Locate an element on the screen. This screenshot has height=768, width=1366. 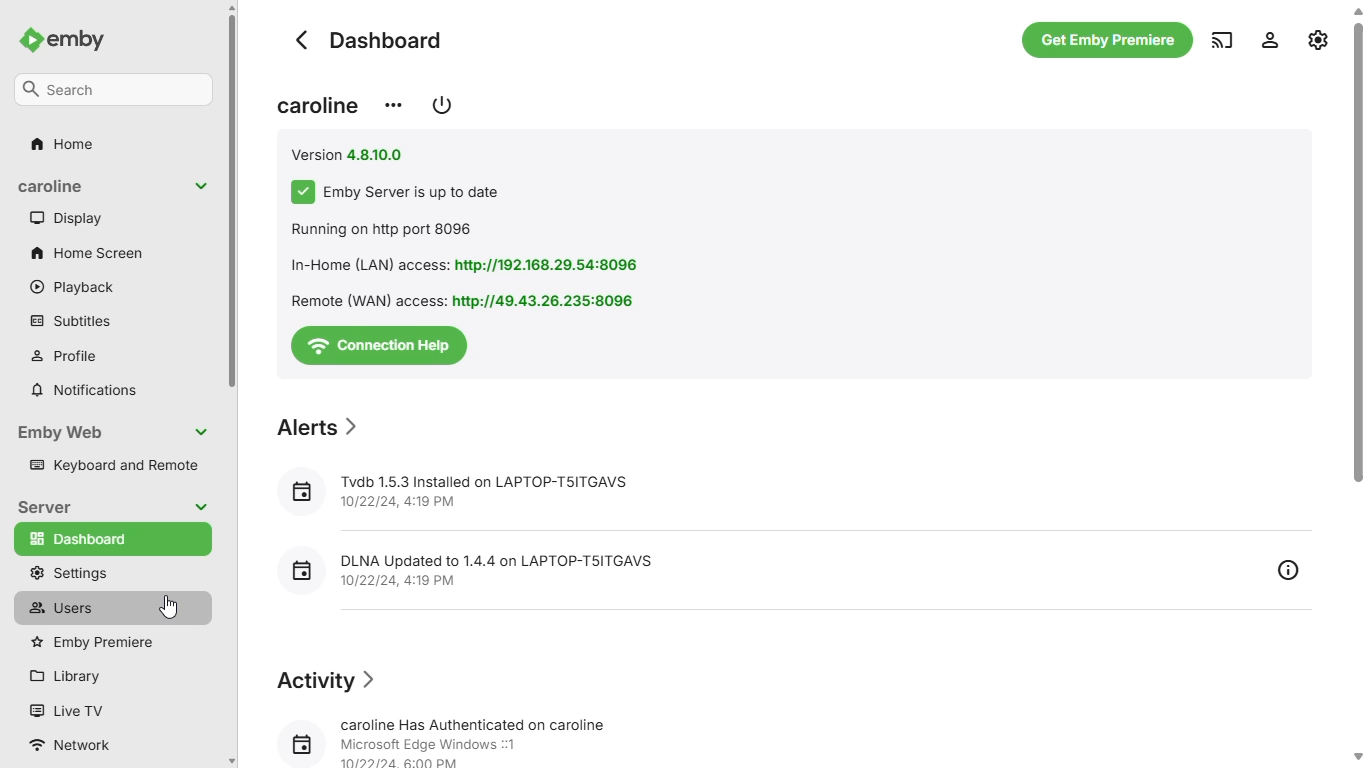
search bar is located at coordinates (114, 91).